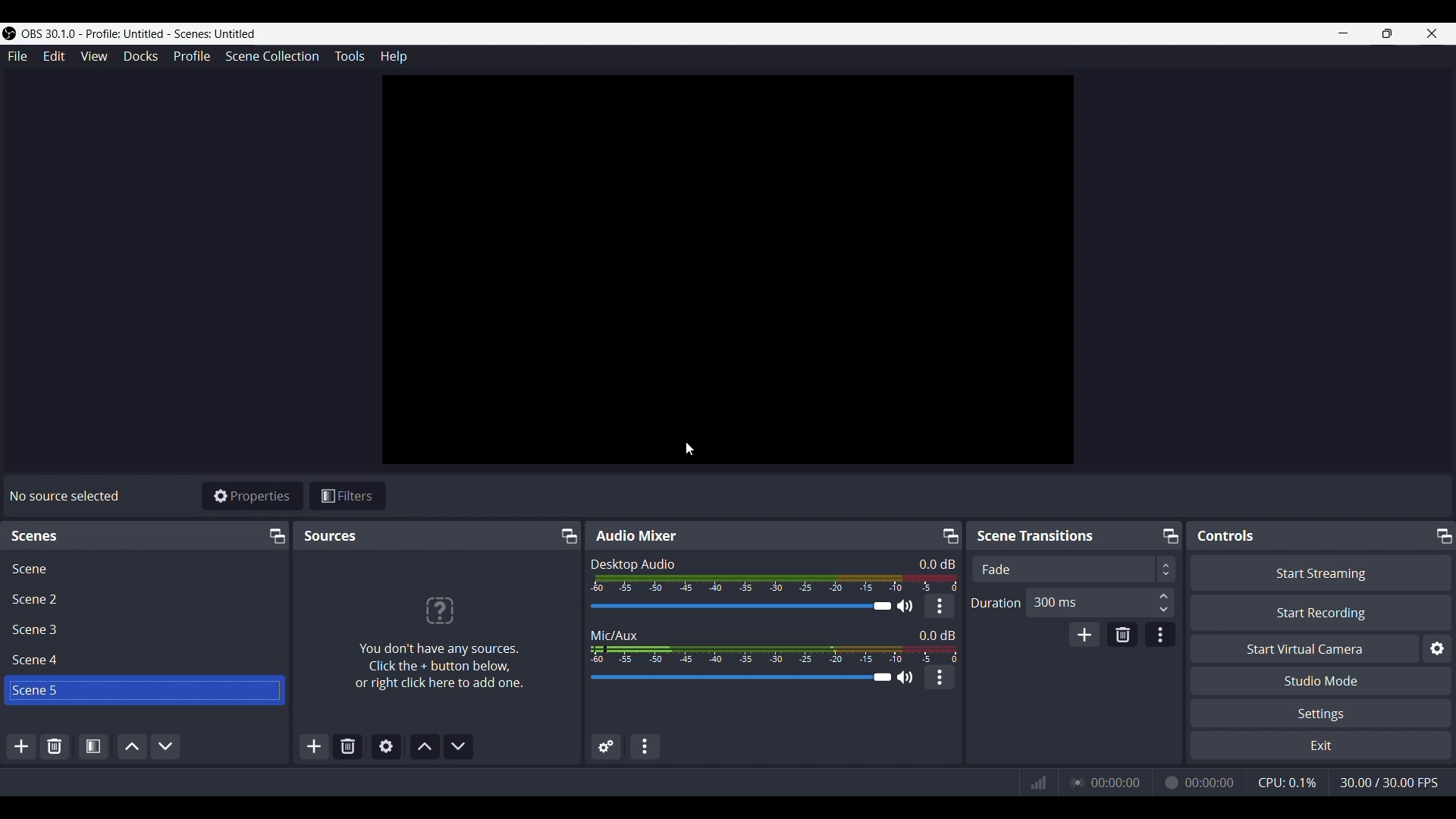 This screenshot has width=1456, height=819. Describe the element at coordinates (1319, 572) in the screenshot. I see `Start Streaming` at that location.